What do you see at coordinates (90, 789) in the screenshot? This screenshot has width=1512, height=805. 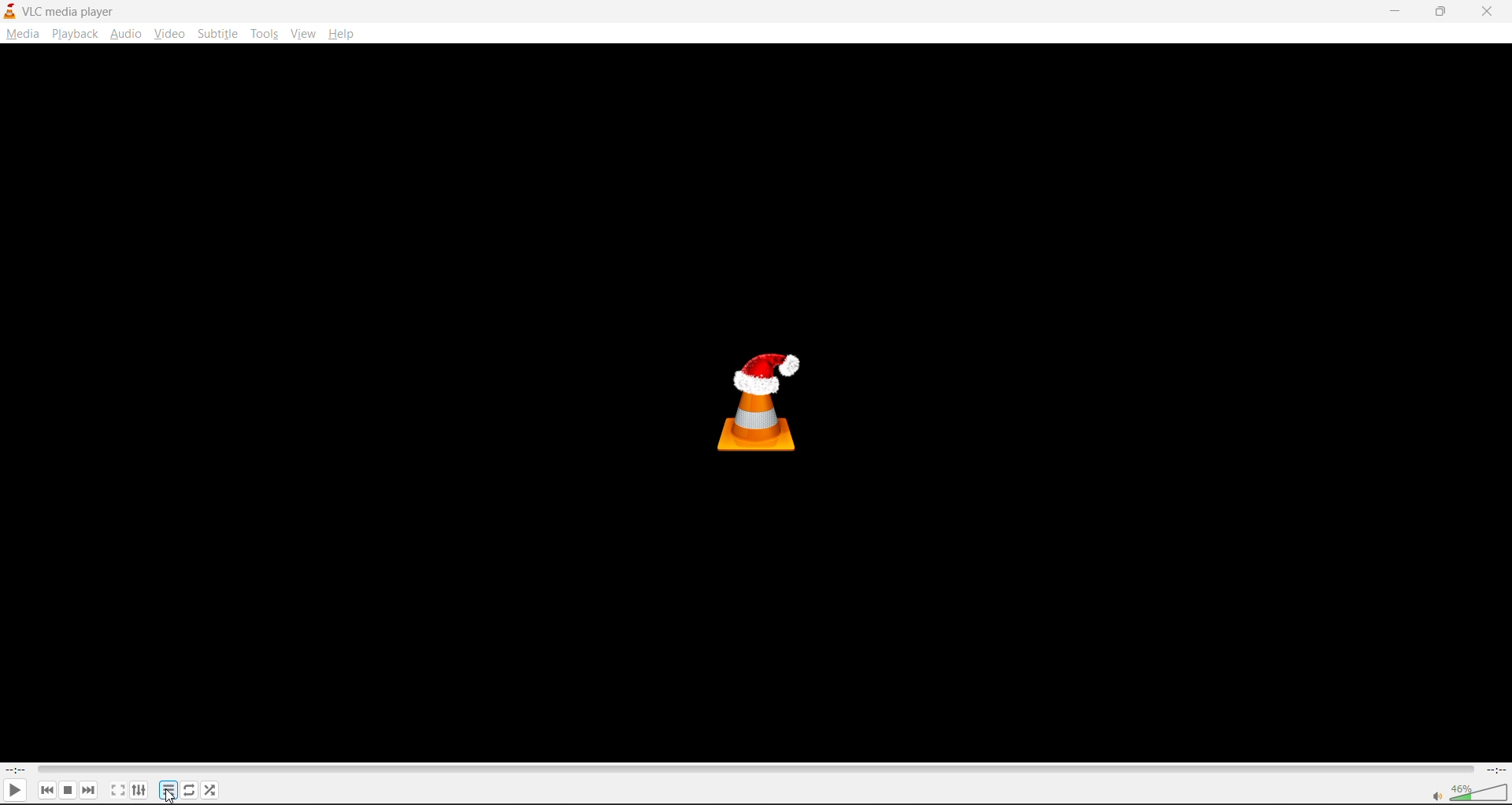 I see `next` at bounding box center [90, 789].